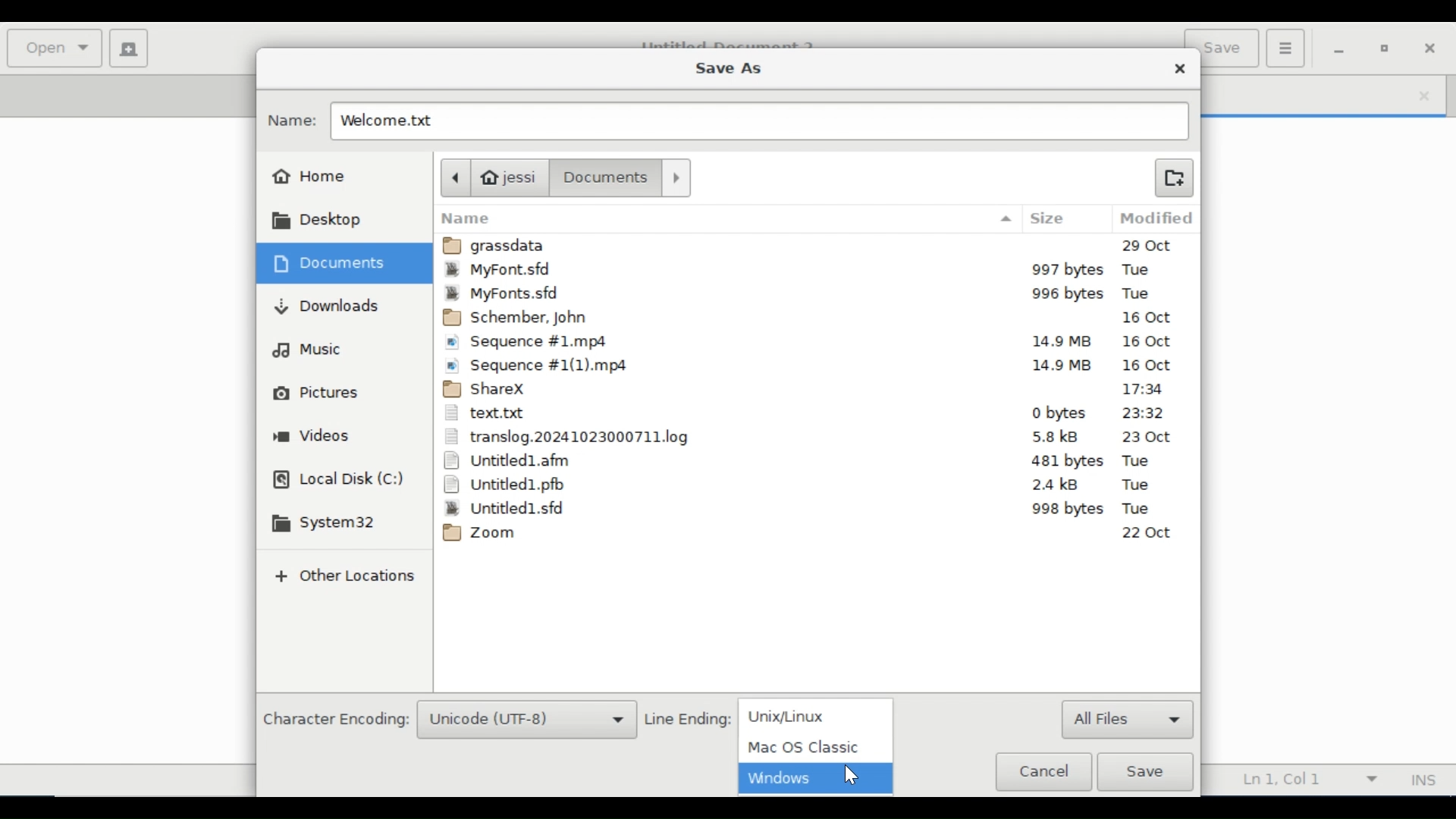  What do you see at coordinates (512, 177) in the screenshot?
I see `jessi` at bounding box center [512, 177].